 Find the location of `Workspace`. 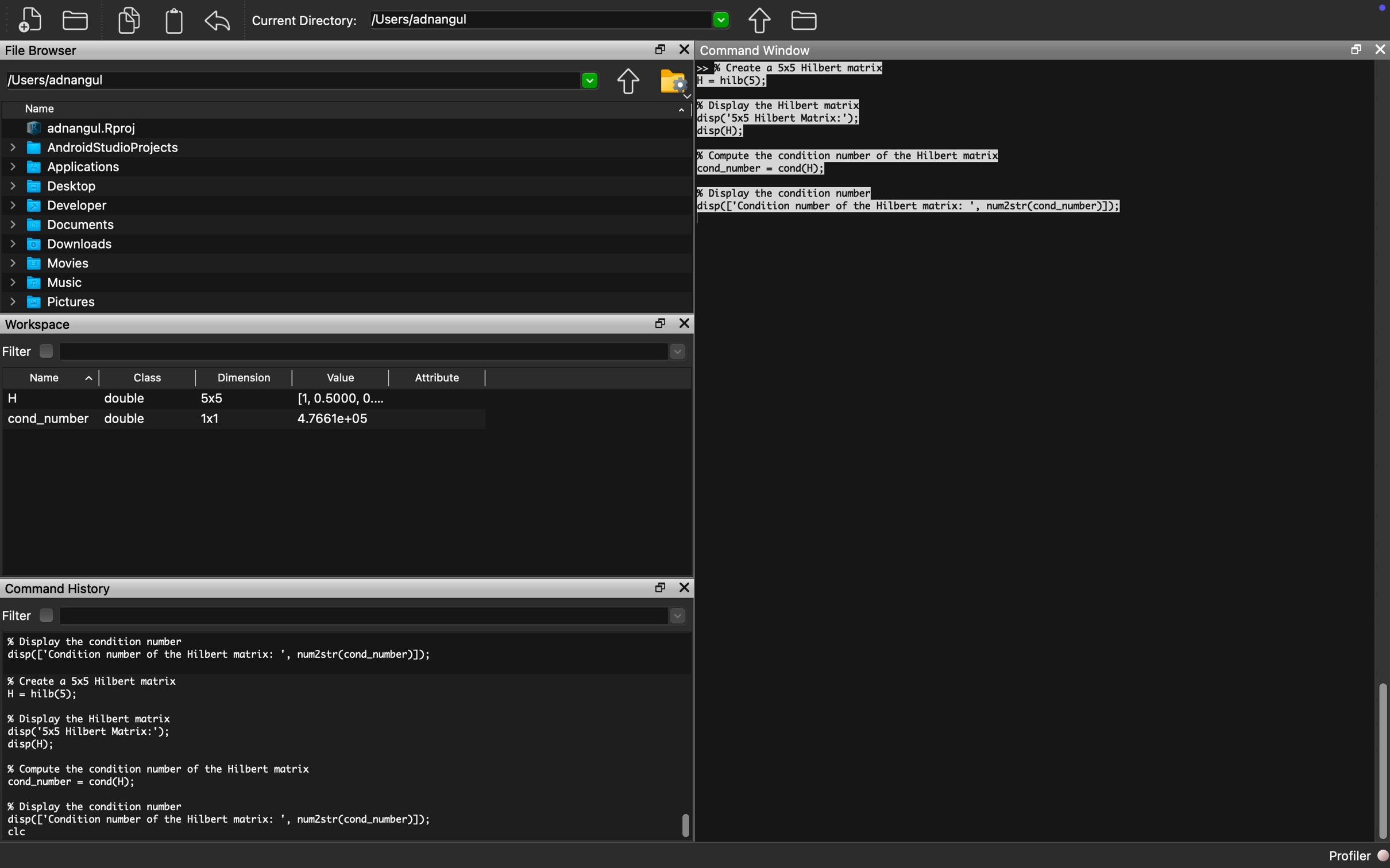

Workspace is located at coordinates (41, 324).